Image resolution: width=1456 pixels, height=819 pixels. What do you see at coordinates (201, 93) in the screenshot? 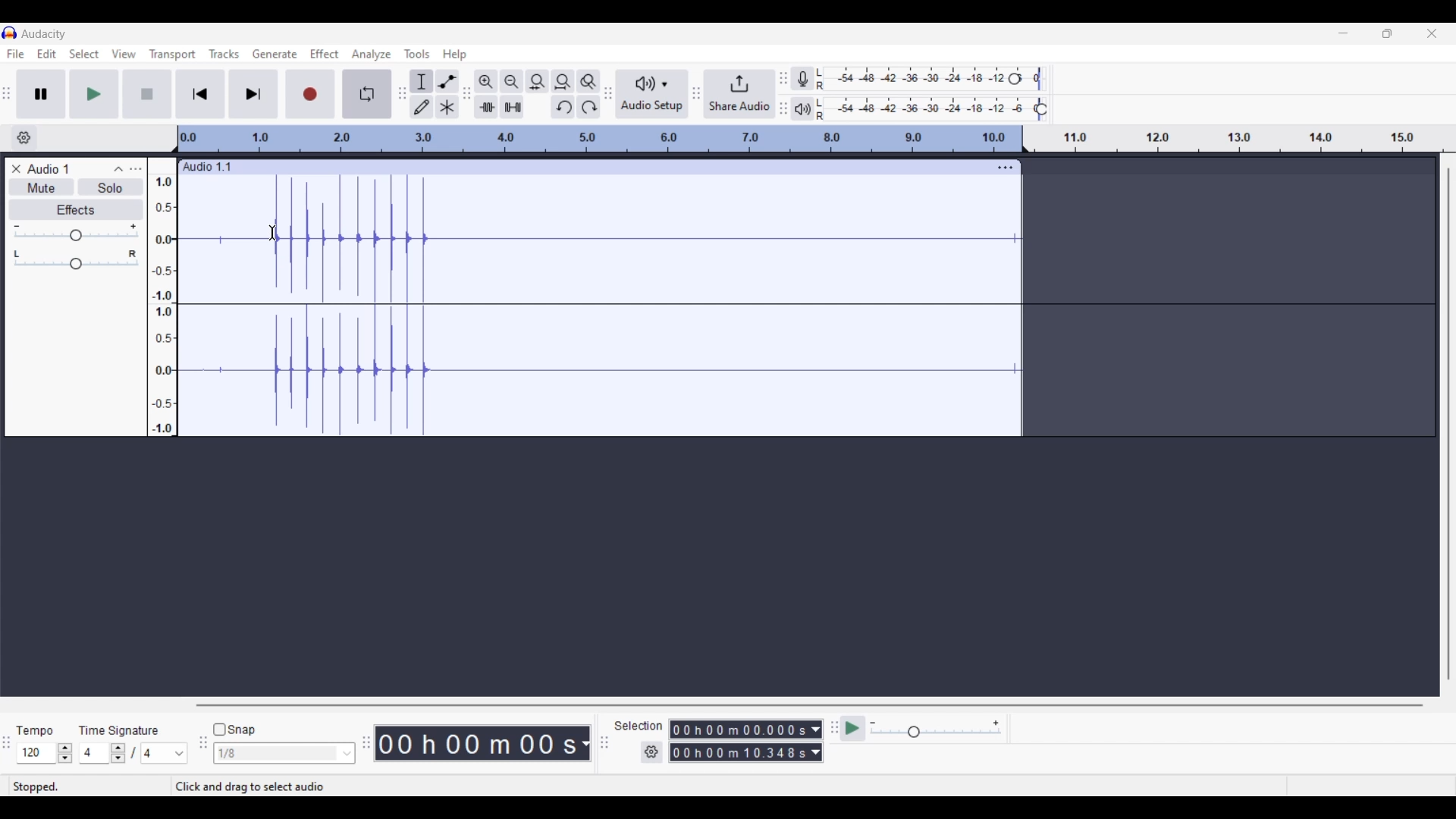
I see `Skip/Select to start` at bounding box center [201, 93].